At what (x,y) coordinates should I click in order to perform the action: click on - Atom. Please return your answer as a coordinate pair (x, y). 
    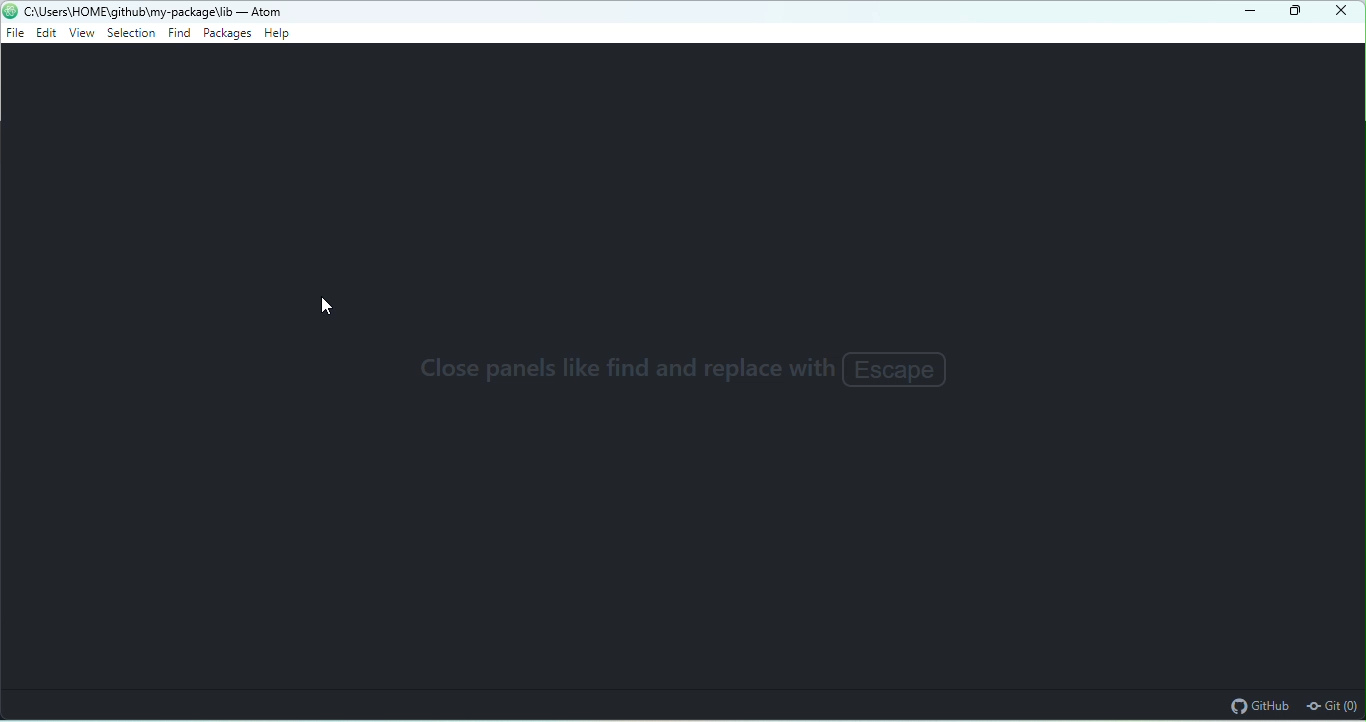
    Looking at the image, I should click on (259, 11).